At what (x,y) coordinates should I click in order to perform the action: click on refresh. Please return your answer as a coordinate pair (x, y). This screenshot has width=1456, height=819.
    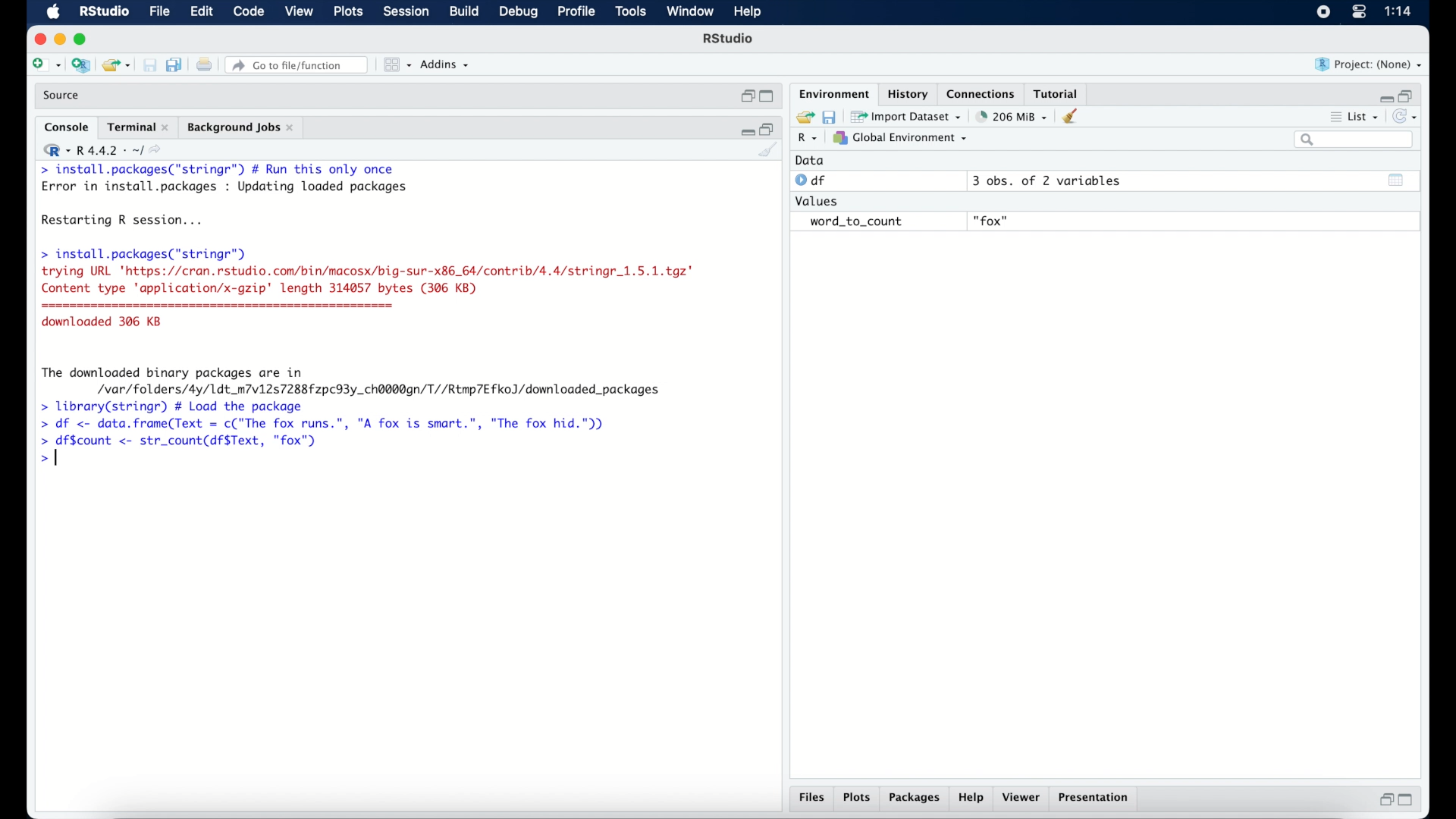
    Looking at the image, I should click on (1407, 117).